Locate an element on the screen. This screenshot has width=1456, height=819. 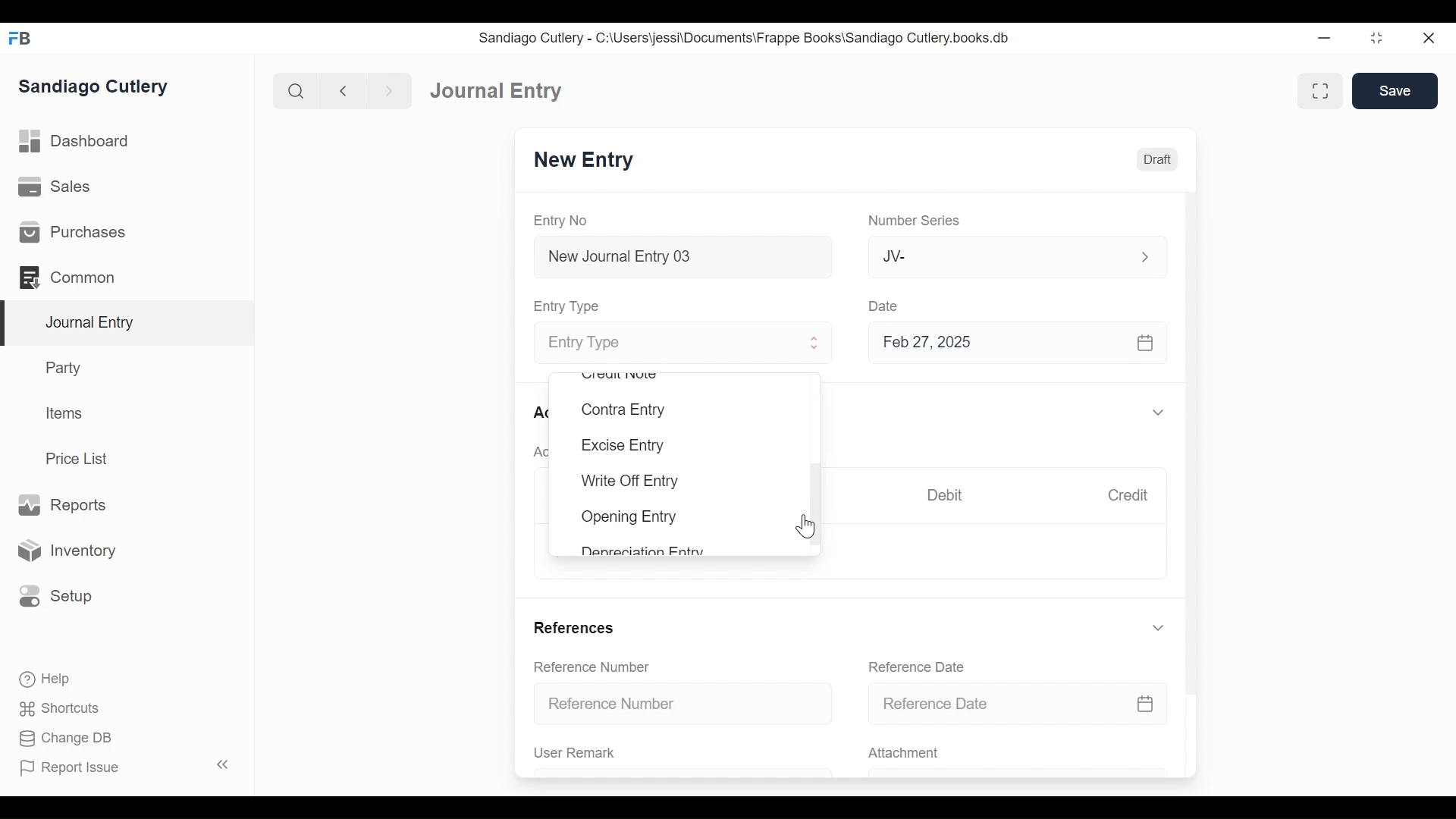
New Entry is located at coordinates (585, 161).